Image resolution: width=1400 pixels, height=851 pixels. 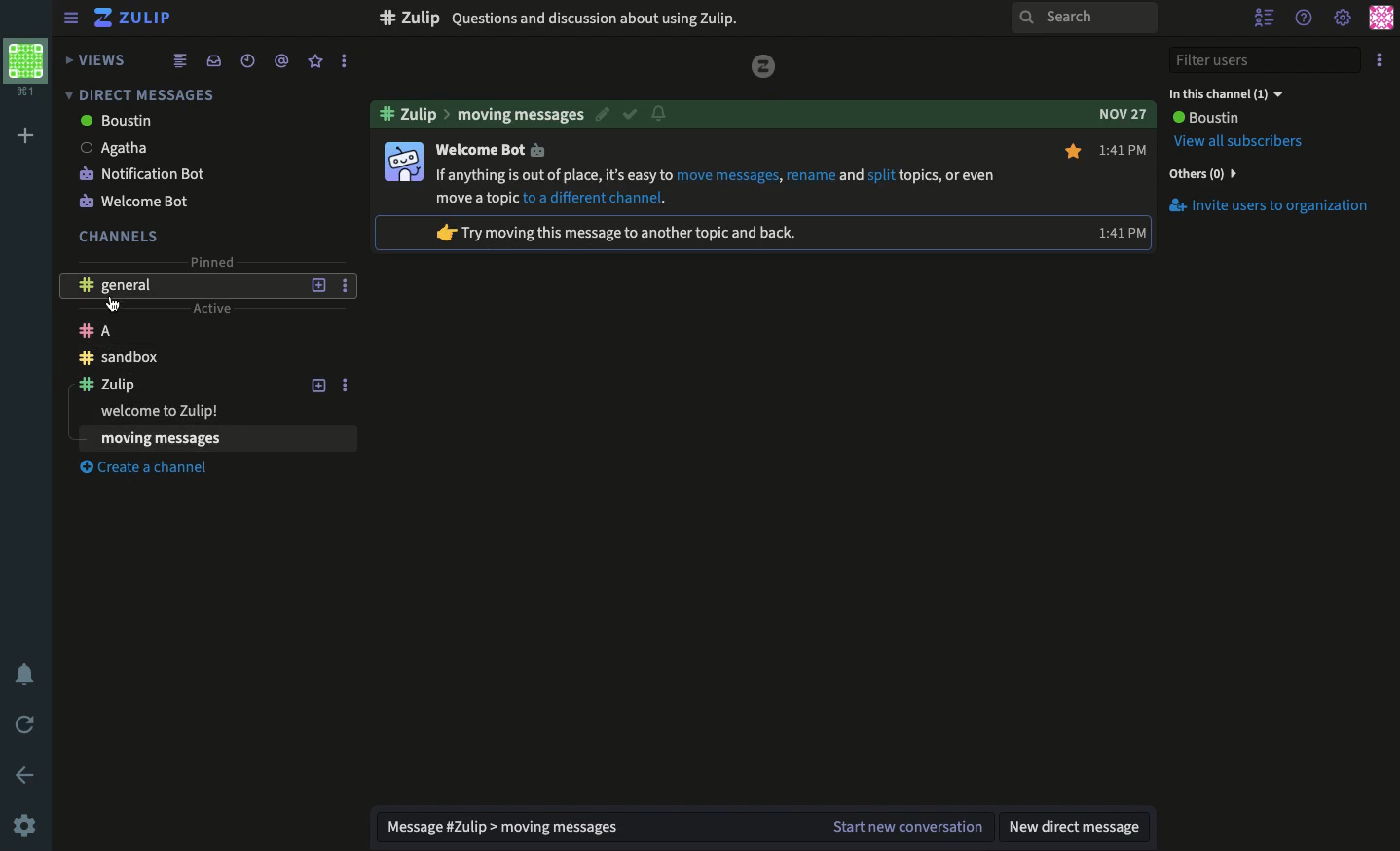 What do you see at coordinates (1078, 826) in the screenshot?
I see `New DM` at bounding box center [1078, 826].